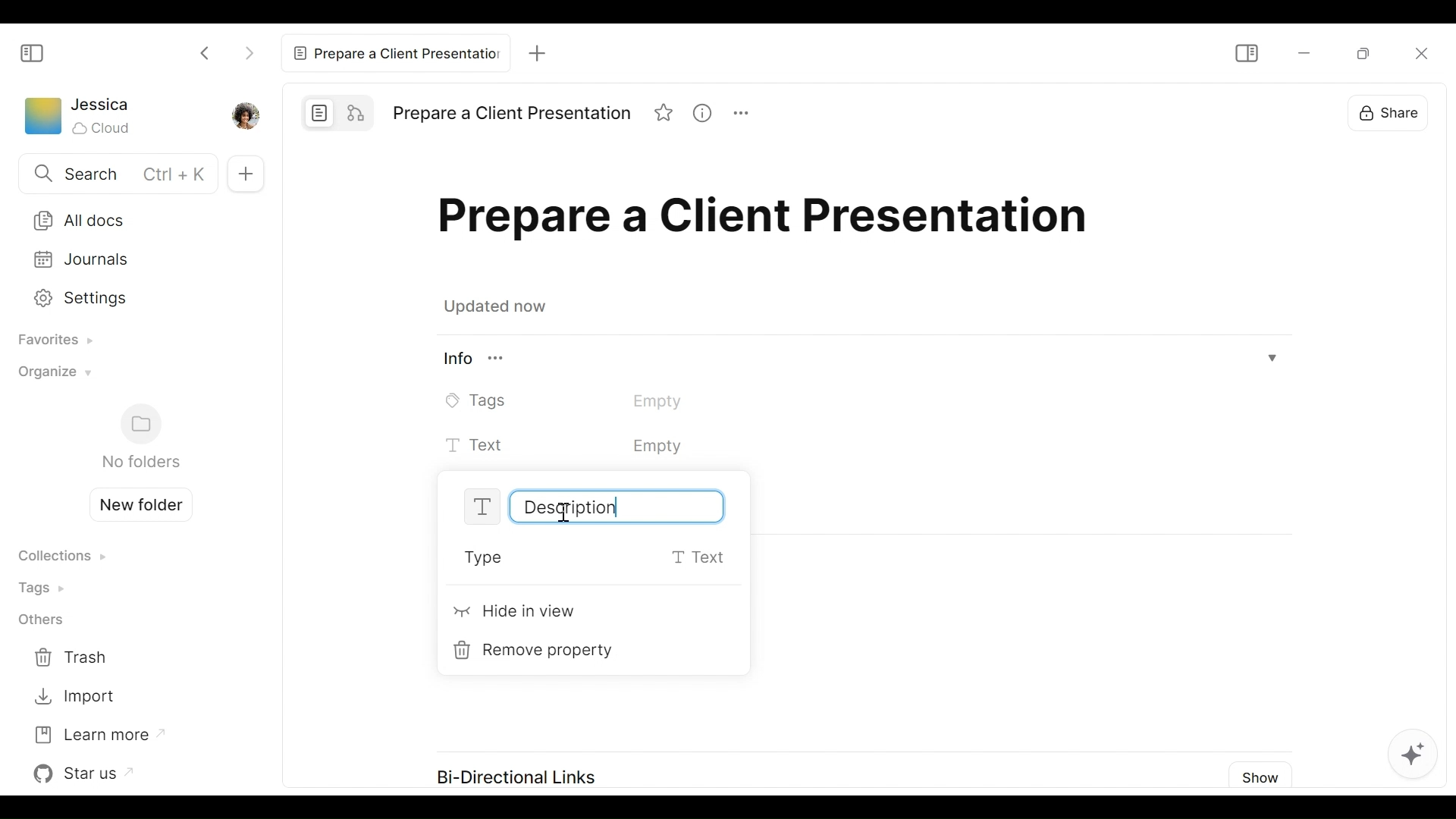 This screenshot has height=819, width=1456. Describe the element at coordinates (50, 341) in the screenshot. I see `Favorites` at that location.